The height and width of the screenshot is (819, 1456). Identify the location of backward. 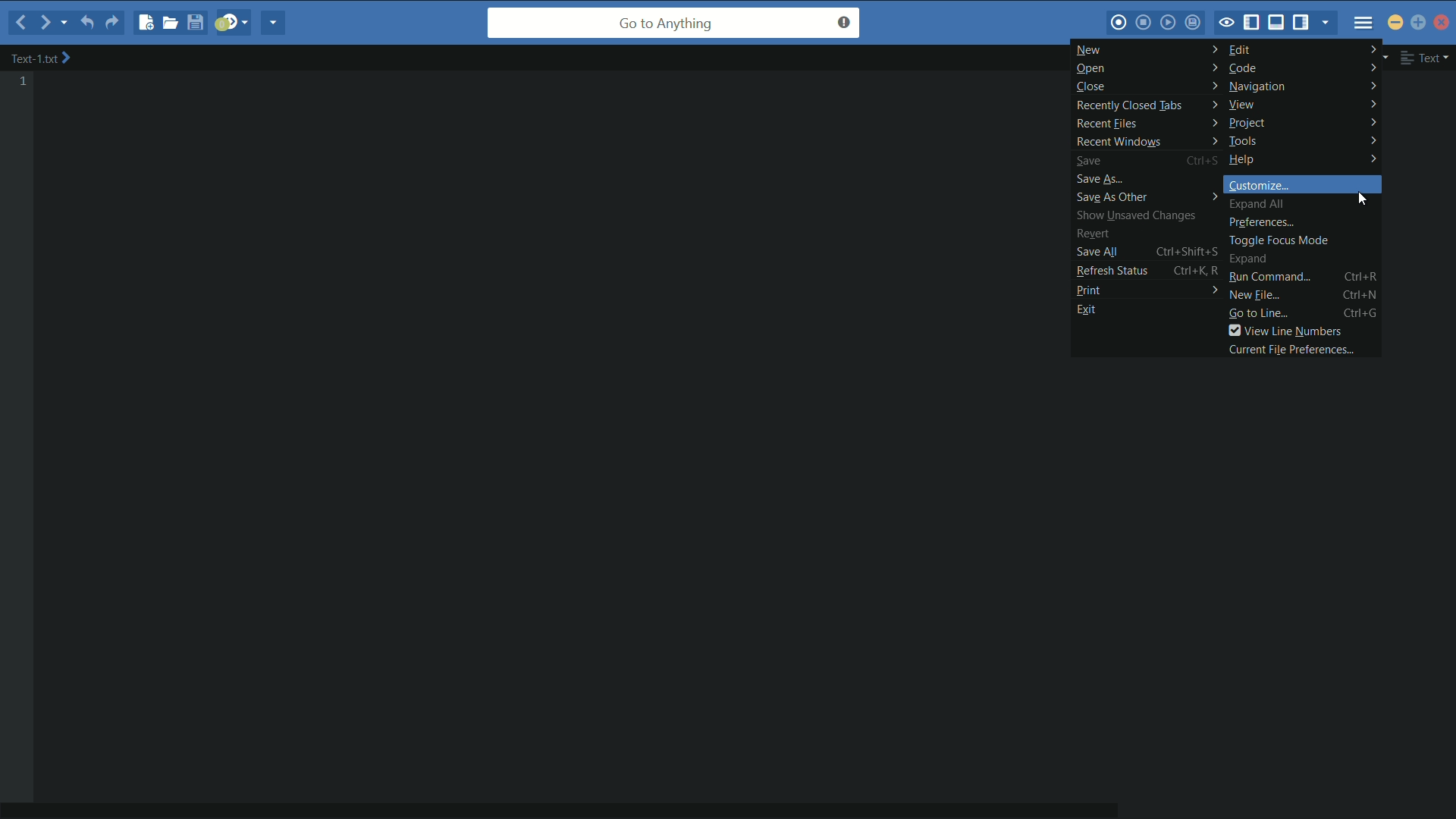
(17, 22).